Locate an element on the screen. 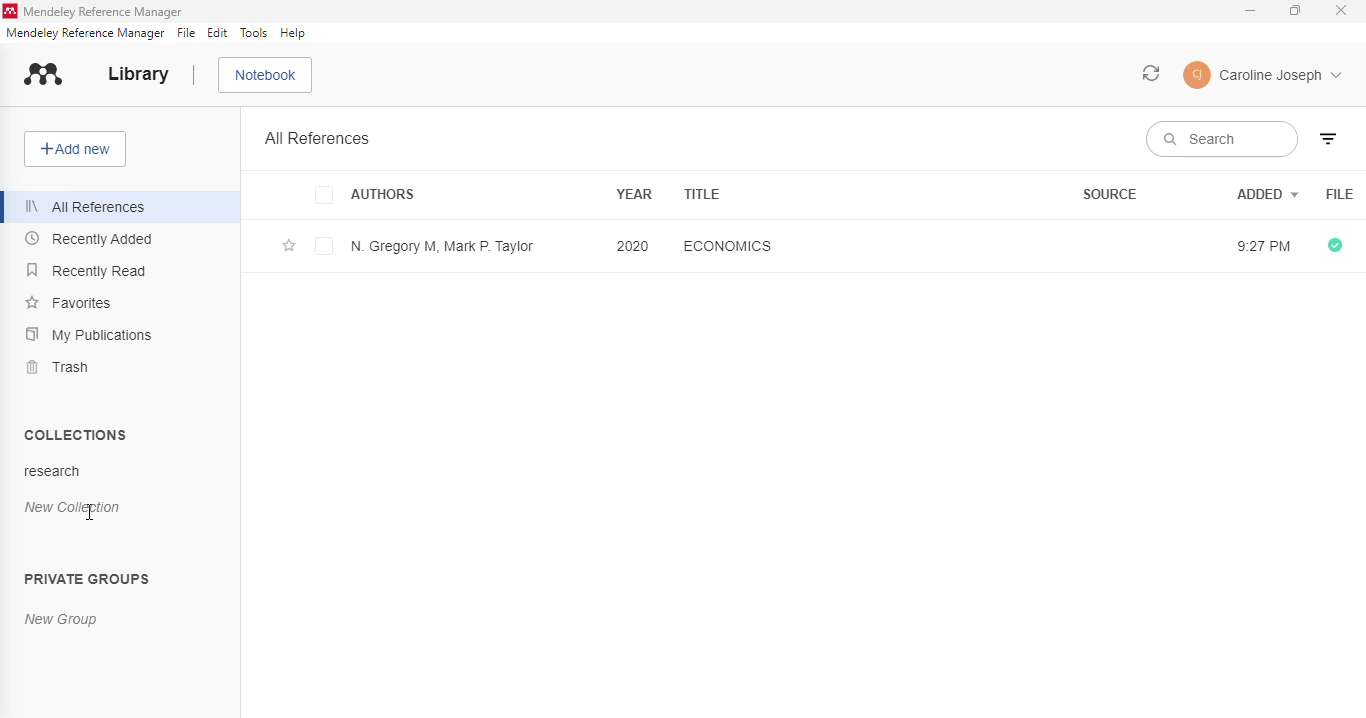  title is located at coordinates (703, 194).